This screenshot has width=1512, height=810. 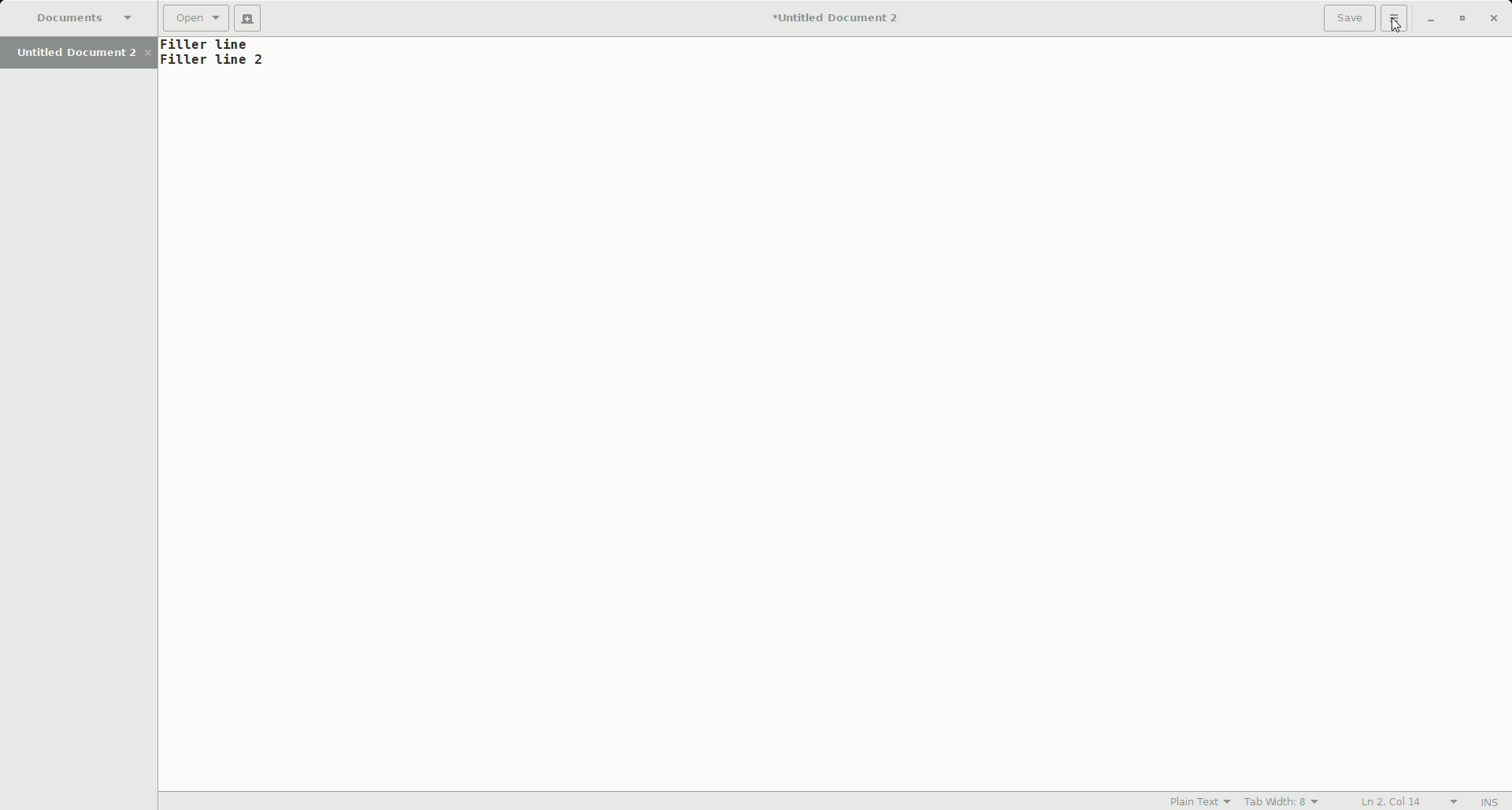 What do you see at coordinates (214, 61) in the screenshot?
I see `Text line 2` at bounding box center [214, 61].